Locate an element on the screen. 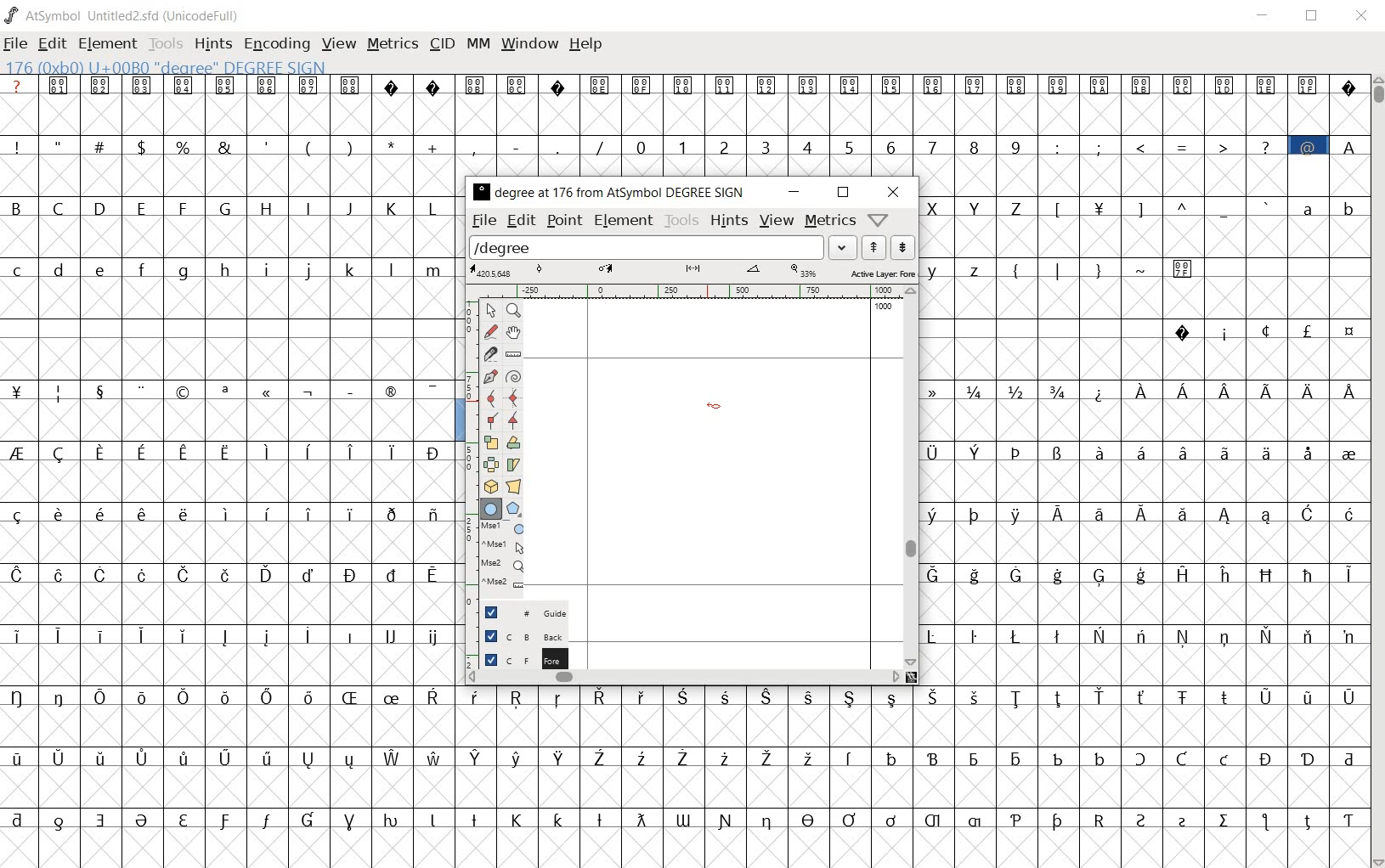  guide is located at coordinates (517, 612).